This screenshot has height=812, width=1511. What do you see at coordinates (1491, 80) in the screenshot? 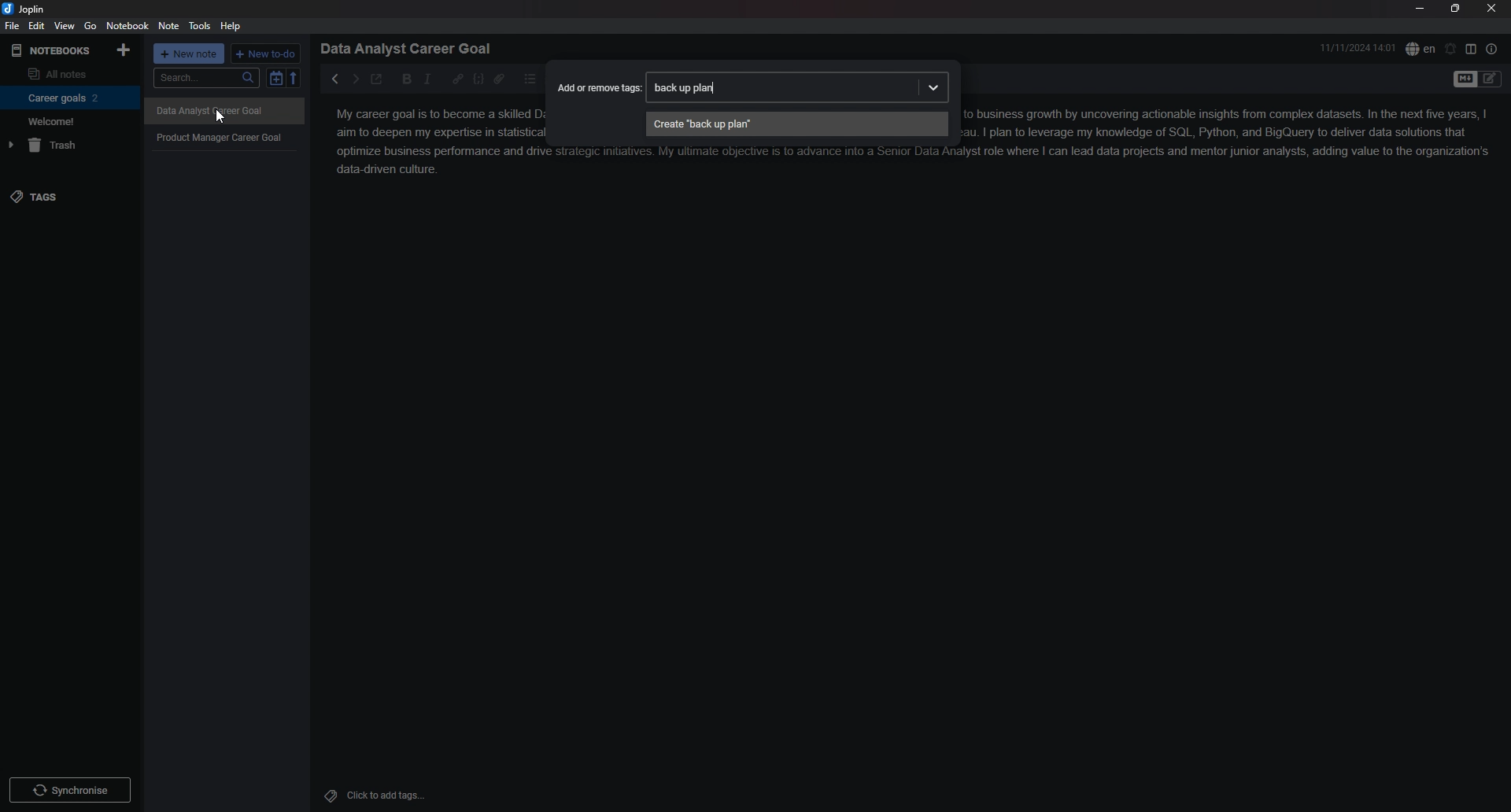
I see `Toggle Editor` at bounding box center [1491, 80].